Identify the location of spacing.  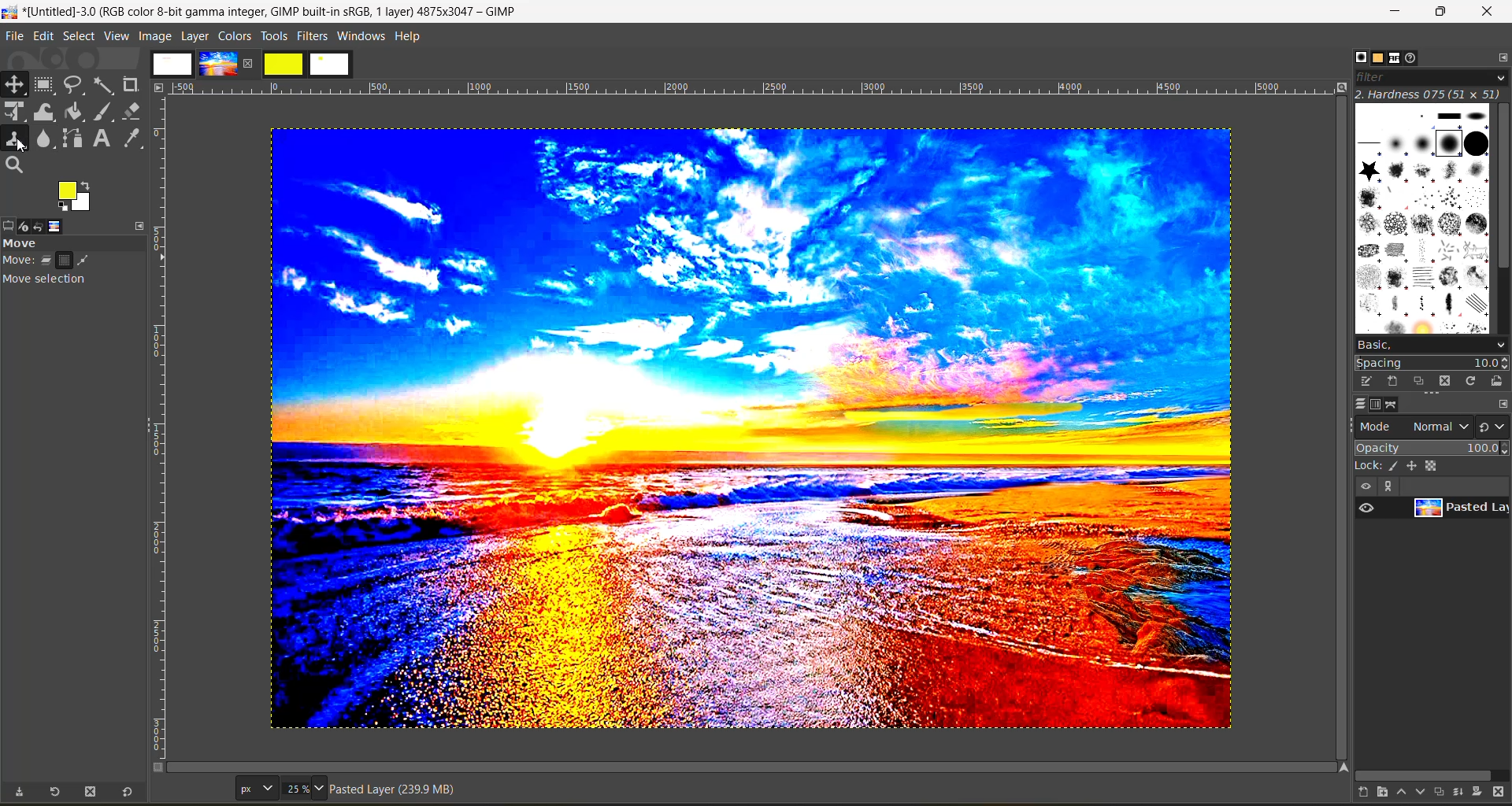
(1432, 363).